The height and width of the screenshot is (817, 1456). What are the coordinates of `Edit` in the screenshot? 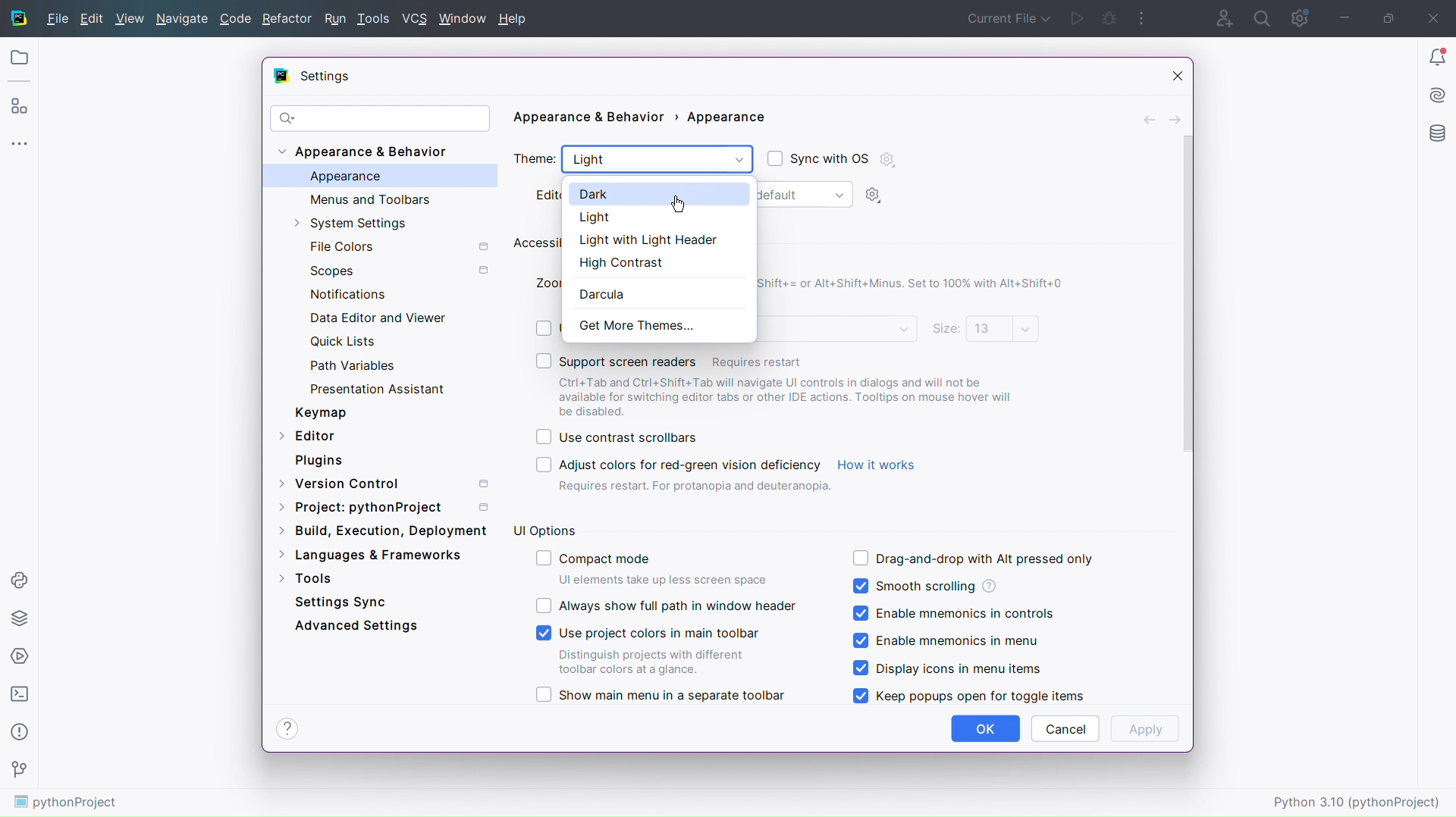 It's located at (93, 18).